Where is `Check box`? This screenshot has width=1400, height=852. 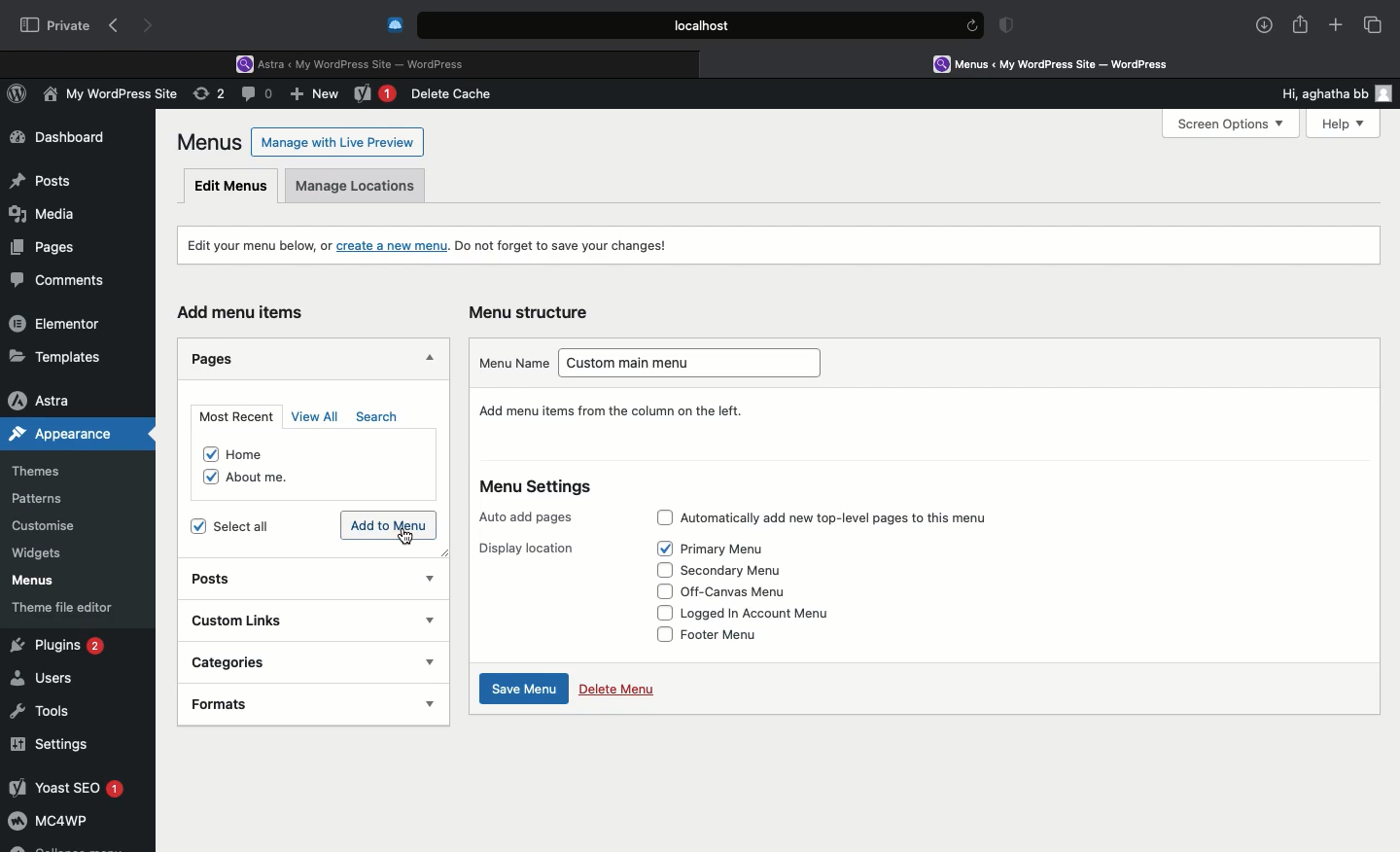
Check box is located at coordinates (664, 515).